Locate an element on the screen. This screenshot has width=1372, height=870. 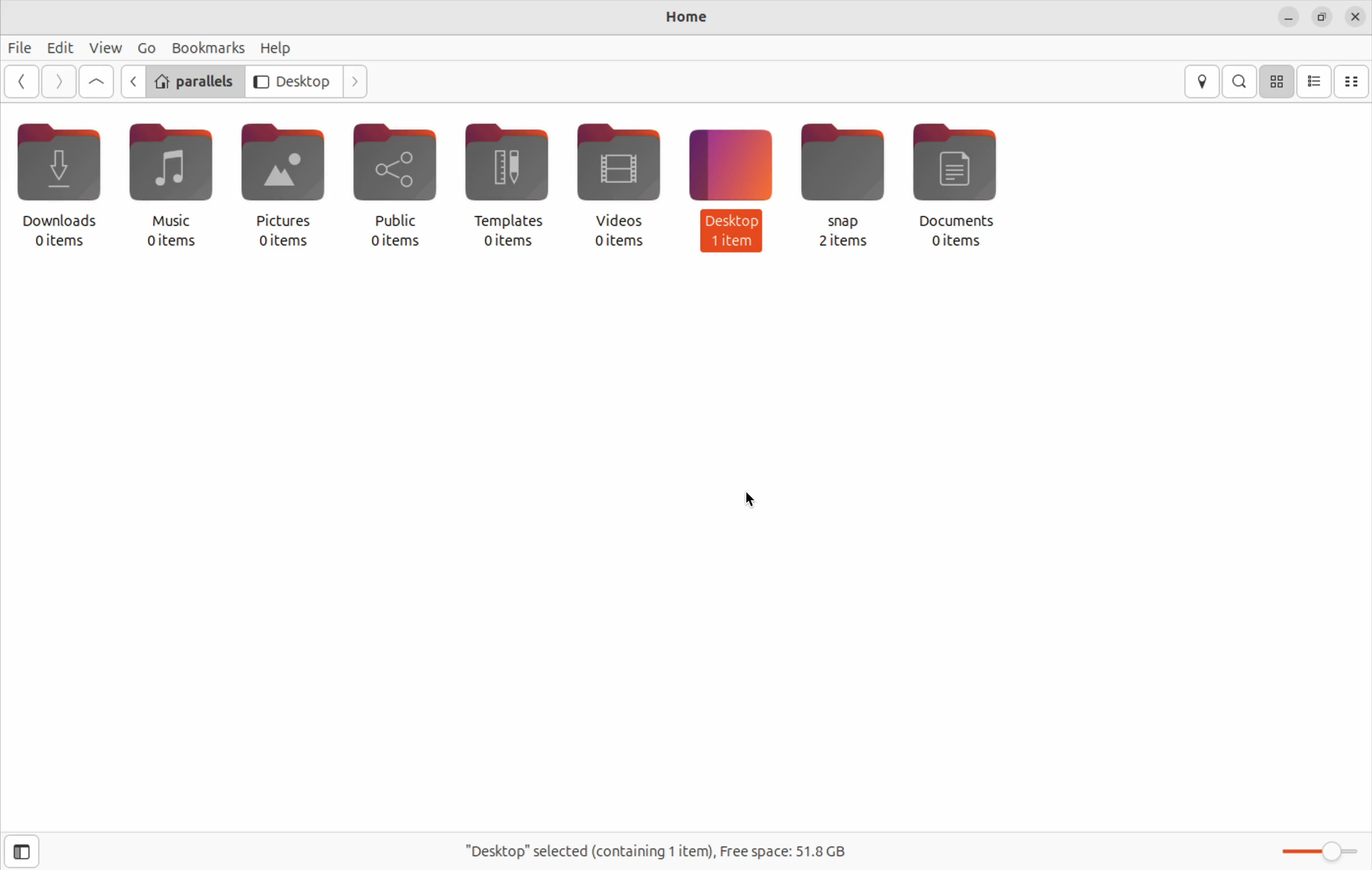
Home is located at coordinates (685, 15).